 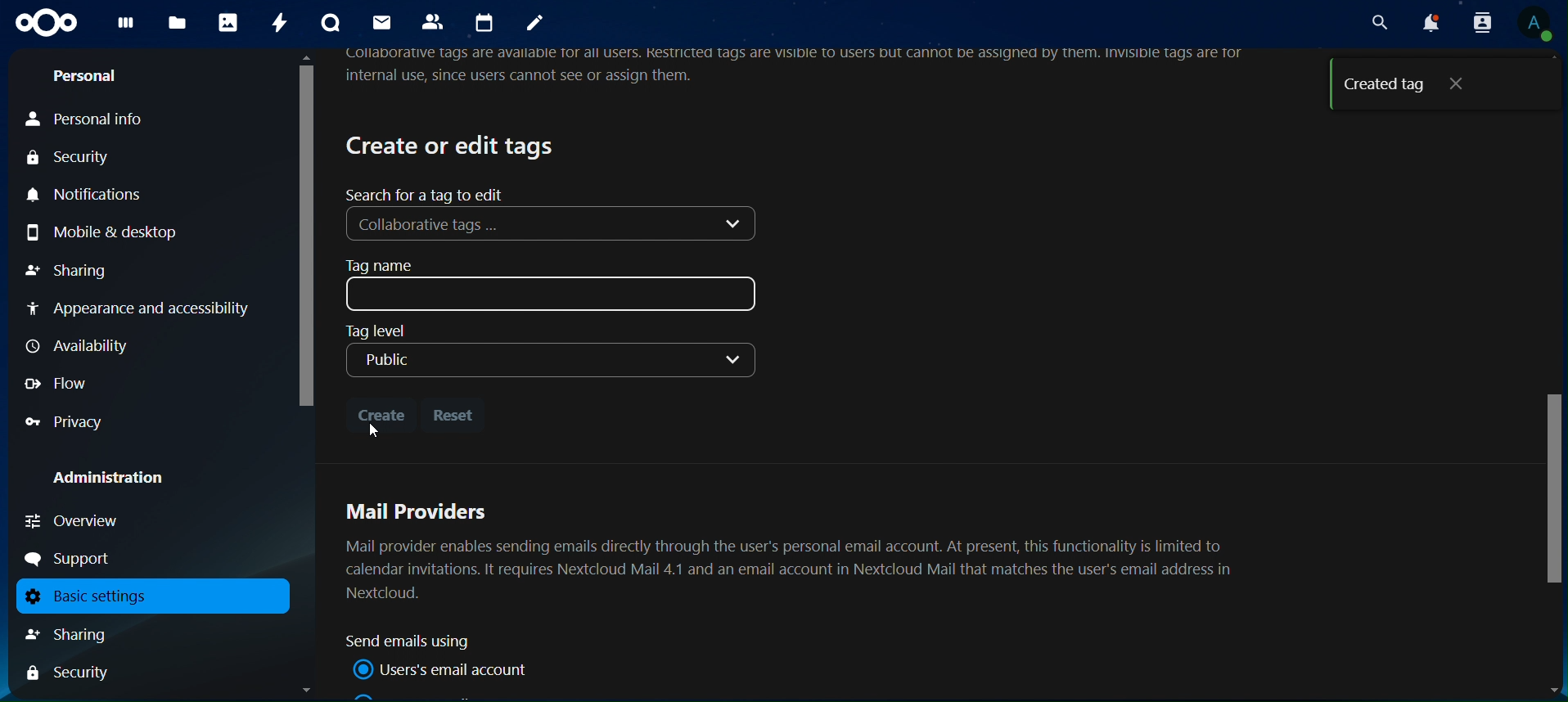 What do you see at coordinates (92, 196) in the screenshot?
I see `notifications` at bounding box center [92, 196].